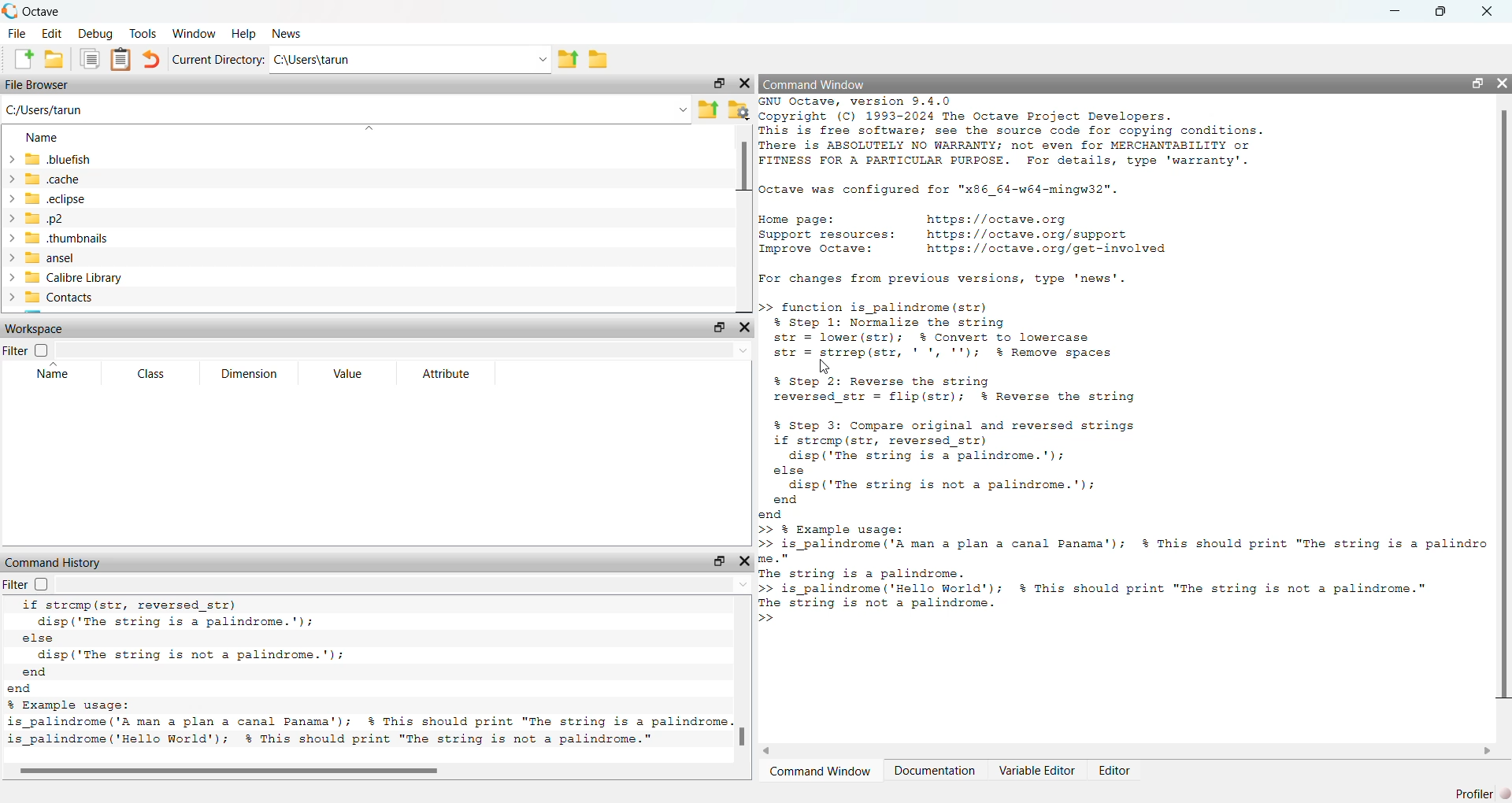 The height and width of the screenshot is (803, 1512). Describe the element at coordinates (821, 771) in the screenshot. I see `command window` at that location.